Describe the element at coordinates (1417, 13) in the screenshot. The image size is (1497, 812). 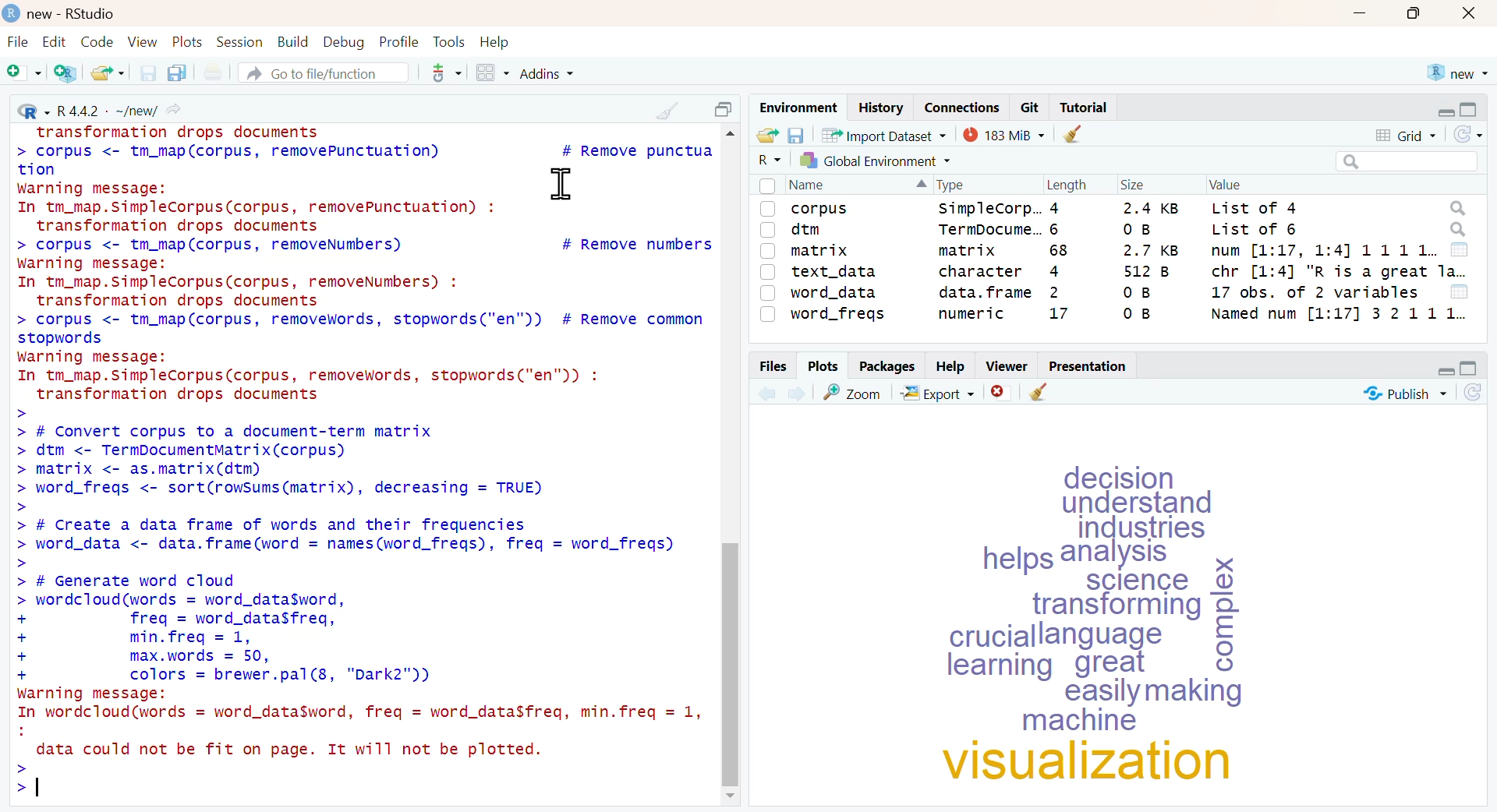
I see `maximize` at that location.